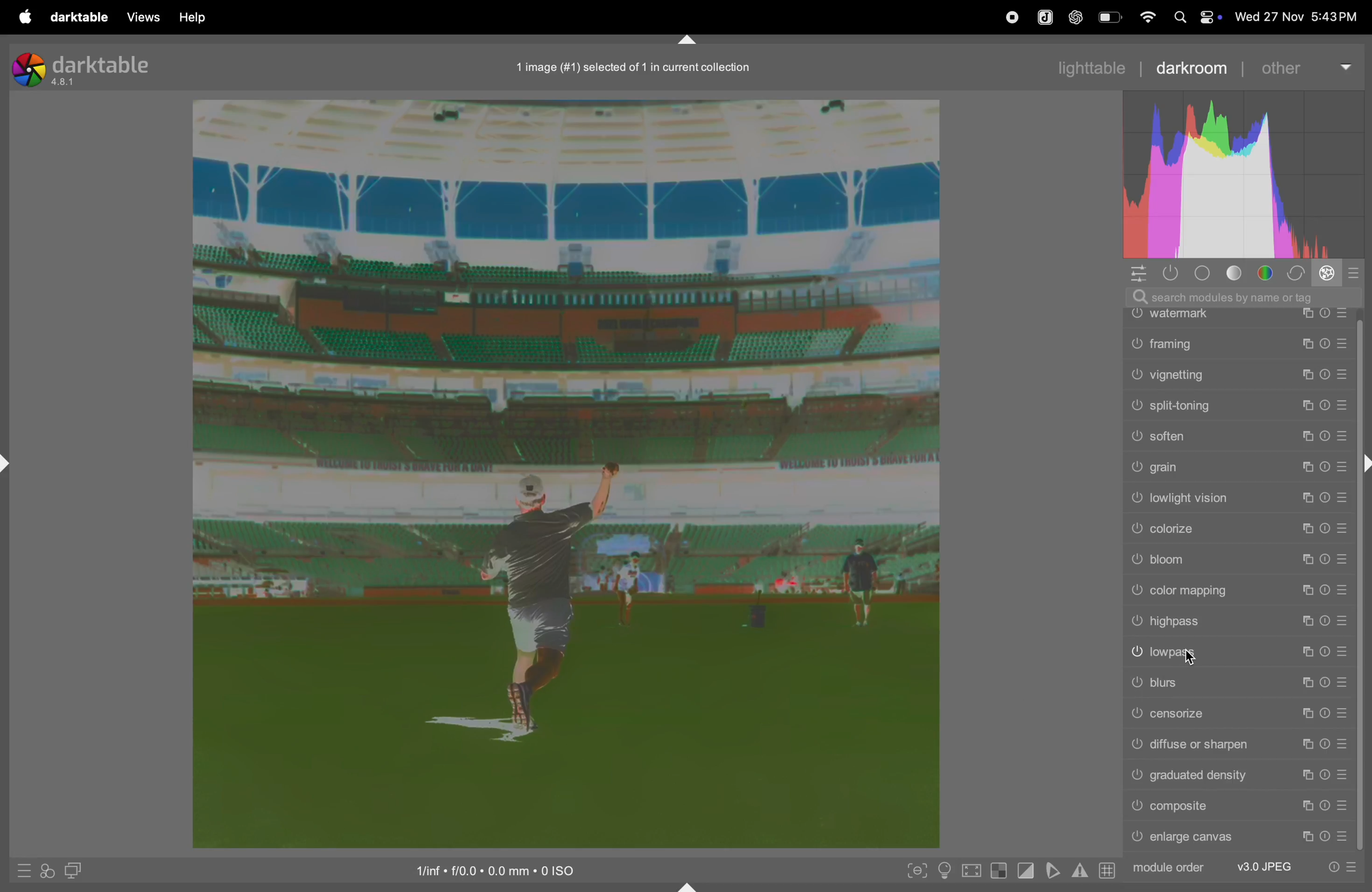  What do you see at coordinates (1238, 806) in the screenshot?
I see `composite digital` at bounding box center [1238, 806].